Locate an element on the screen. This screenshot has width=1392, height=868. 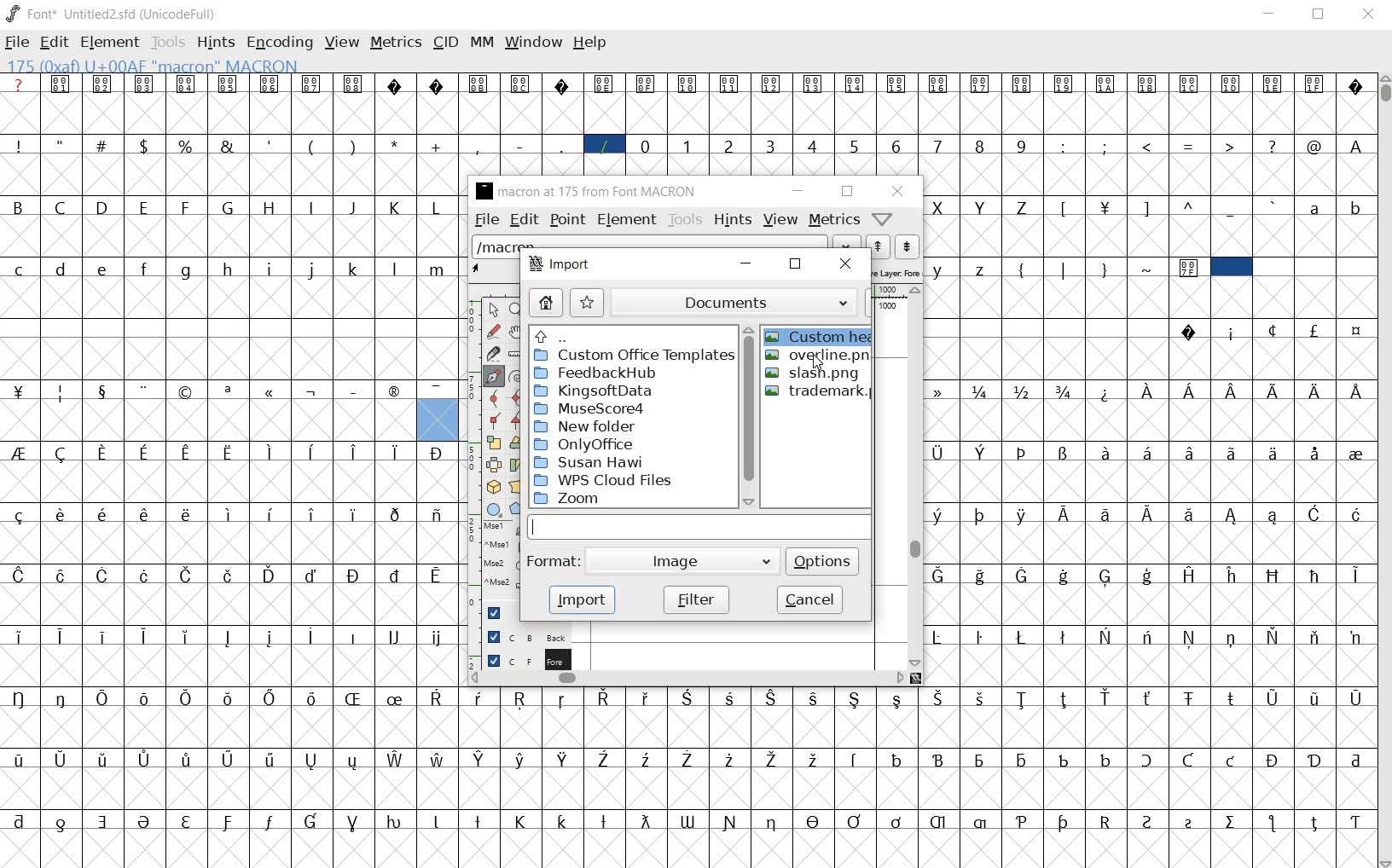
^ is located at coordinates (1190, 206).